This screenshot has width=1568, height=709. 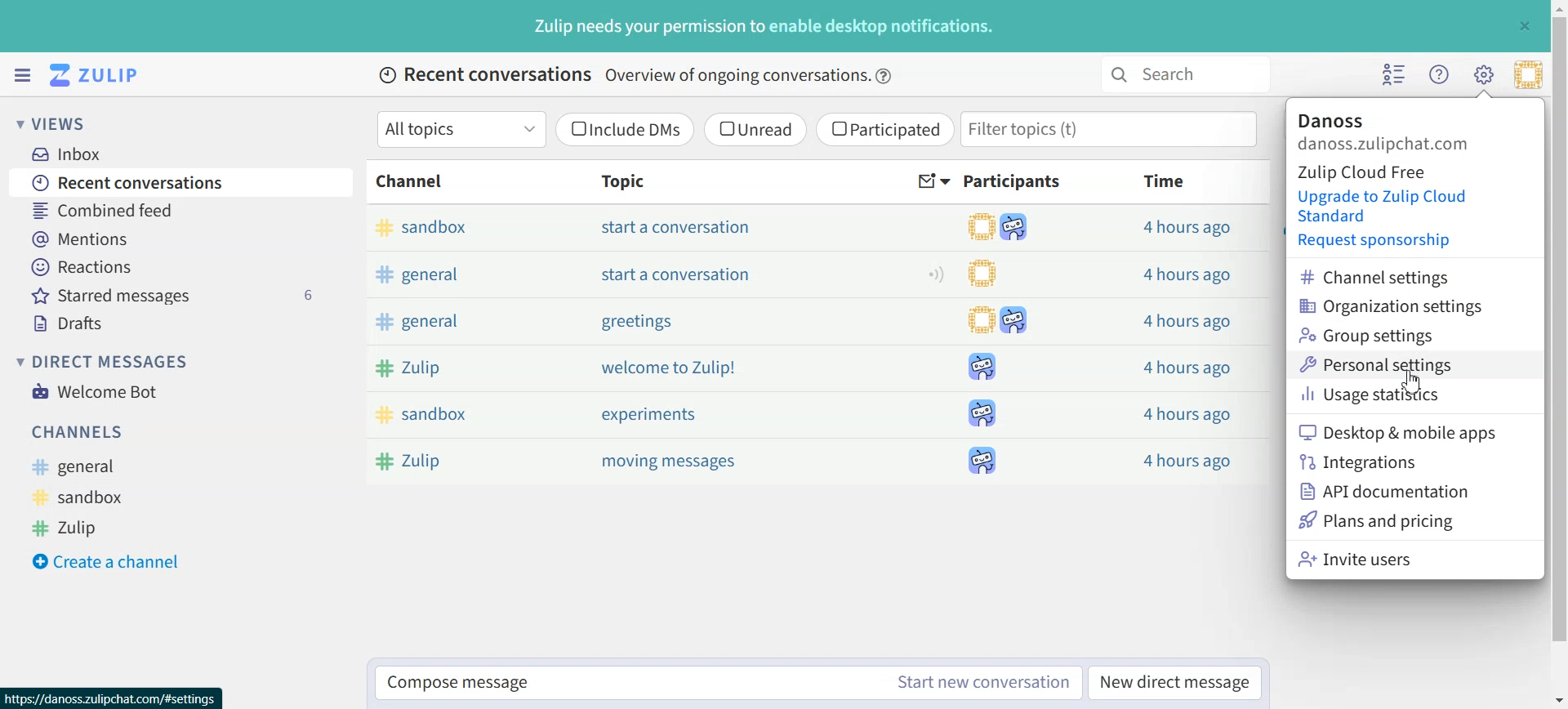 What do you see at coordinates (1528, 74) in the screenshot?
I see `Personal menu` at bounding box center [1528, 74].